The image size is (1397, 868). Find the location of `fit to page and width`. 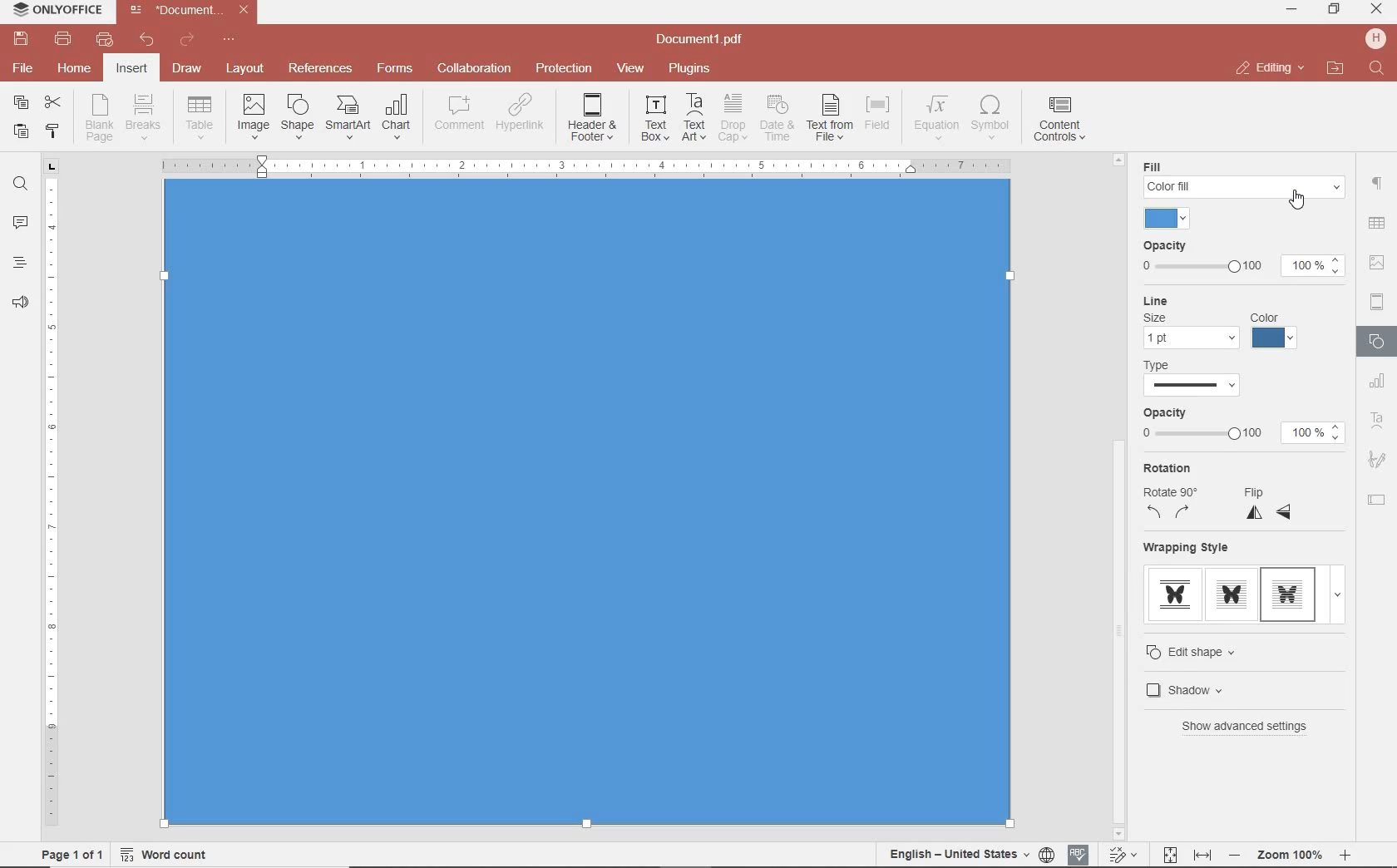

fit to page and width is located at coordinates (1184, 856).